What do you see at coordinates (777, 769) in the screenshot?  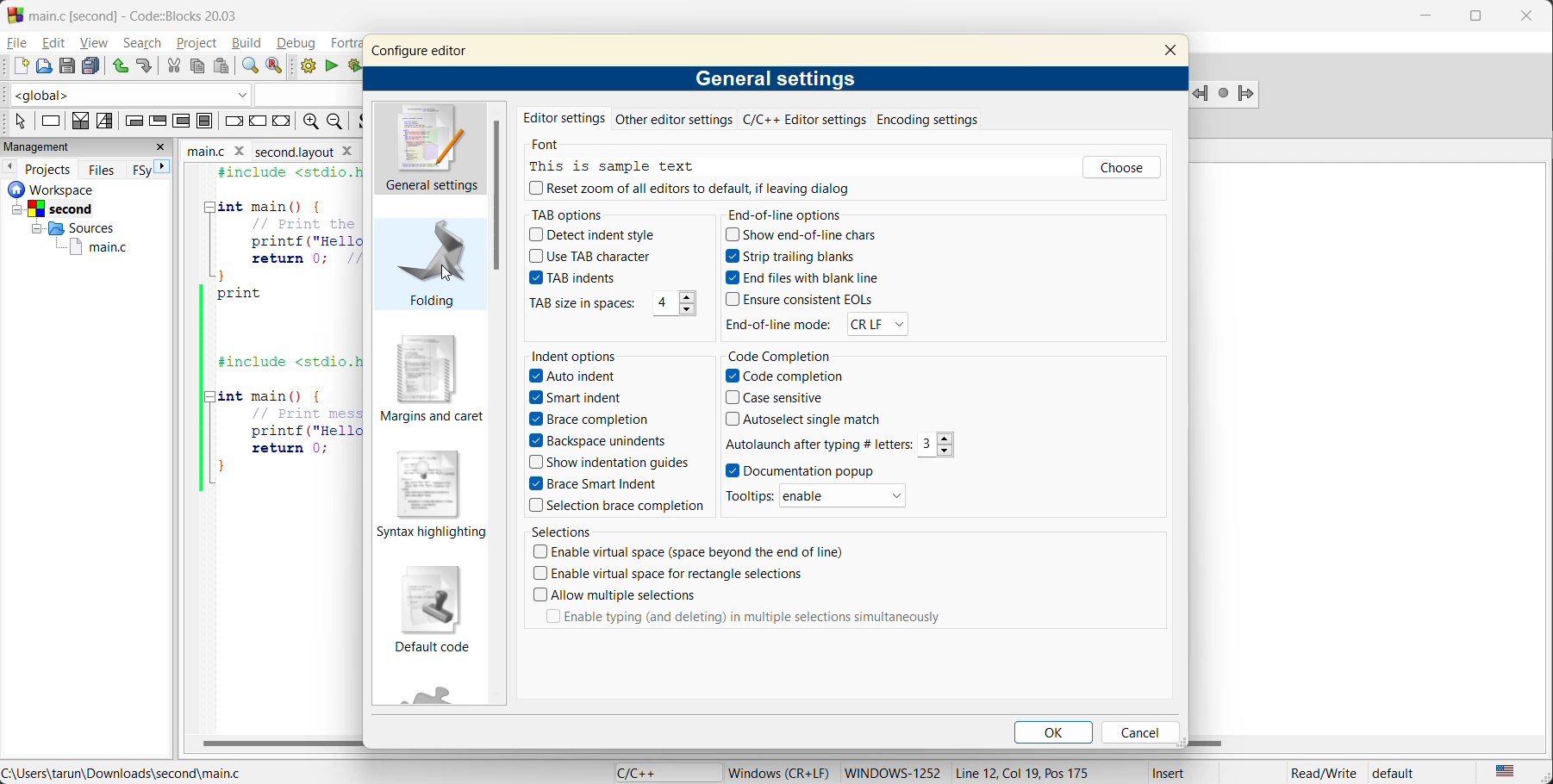 I see `Windows (CR+LF)` at bounding box center [777, 769].